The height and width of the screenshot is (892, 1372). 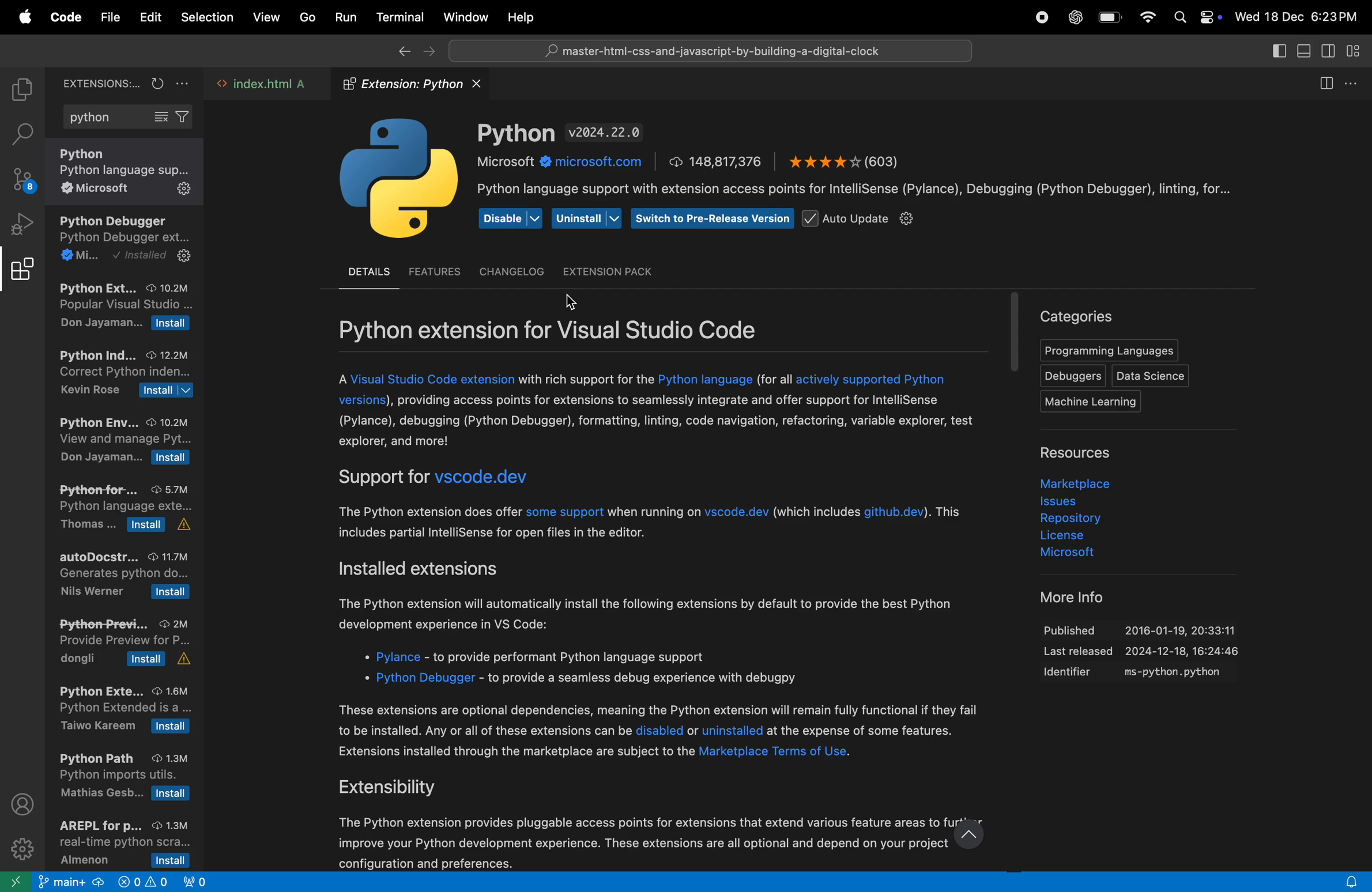 What do you see at coordinates (126, 241) in the screenshot?
I see `python development` at bounding box center [126, 241].